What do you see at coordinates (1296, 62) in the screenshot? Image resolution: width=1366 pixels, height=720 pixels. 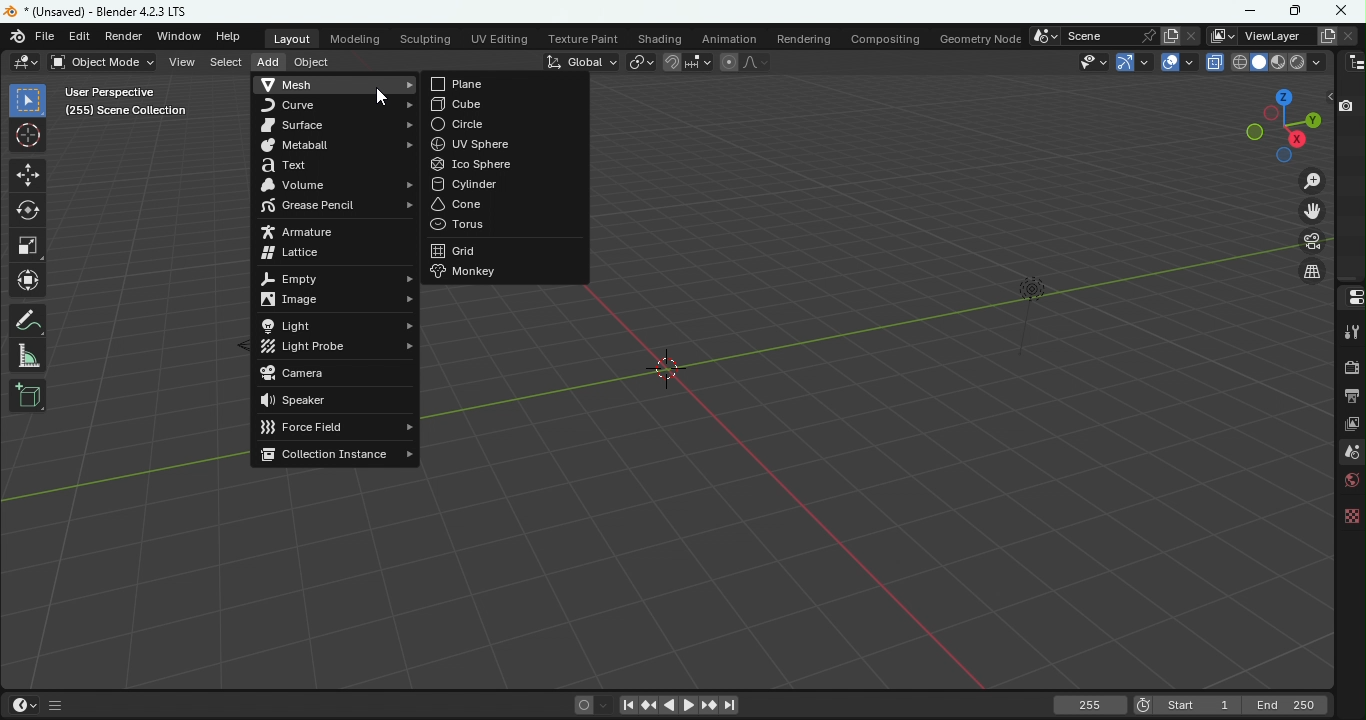 I see `Viewport shading: rendered` at bounding box center [1296, 62].